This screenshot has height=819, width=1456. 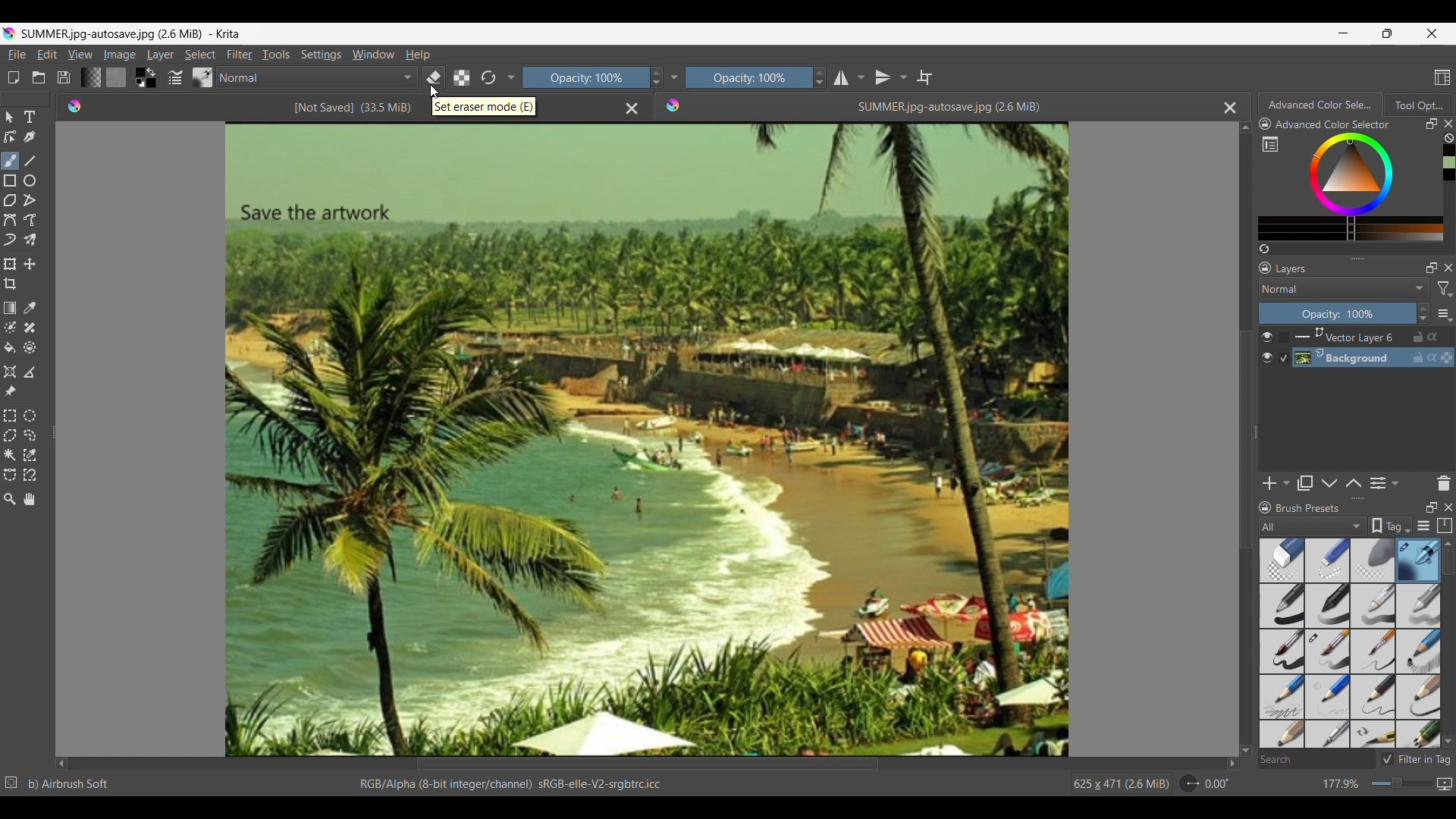 What do you see at coordinates (1376, 358) in the screenshot?
I see `Background` at bounding box center [1376, 358].